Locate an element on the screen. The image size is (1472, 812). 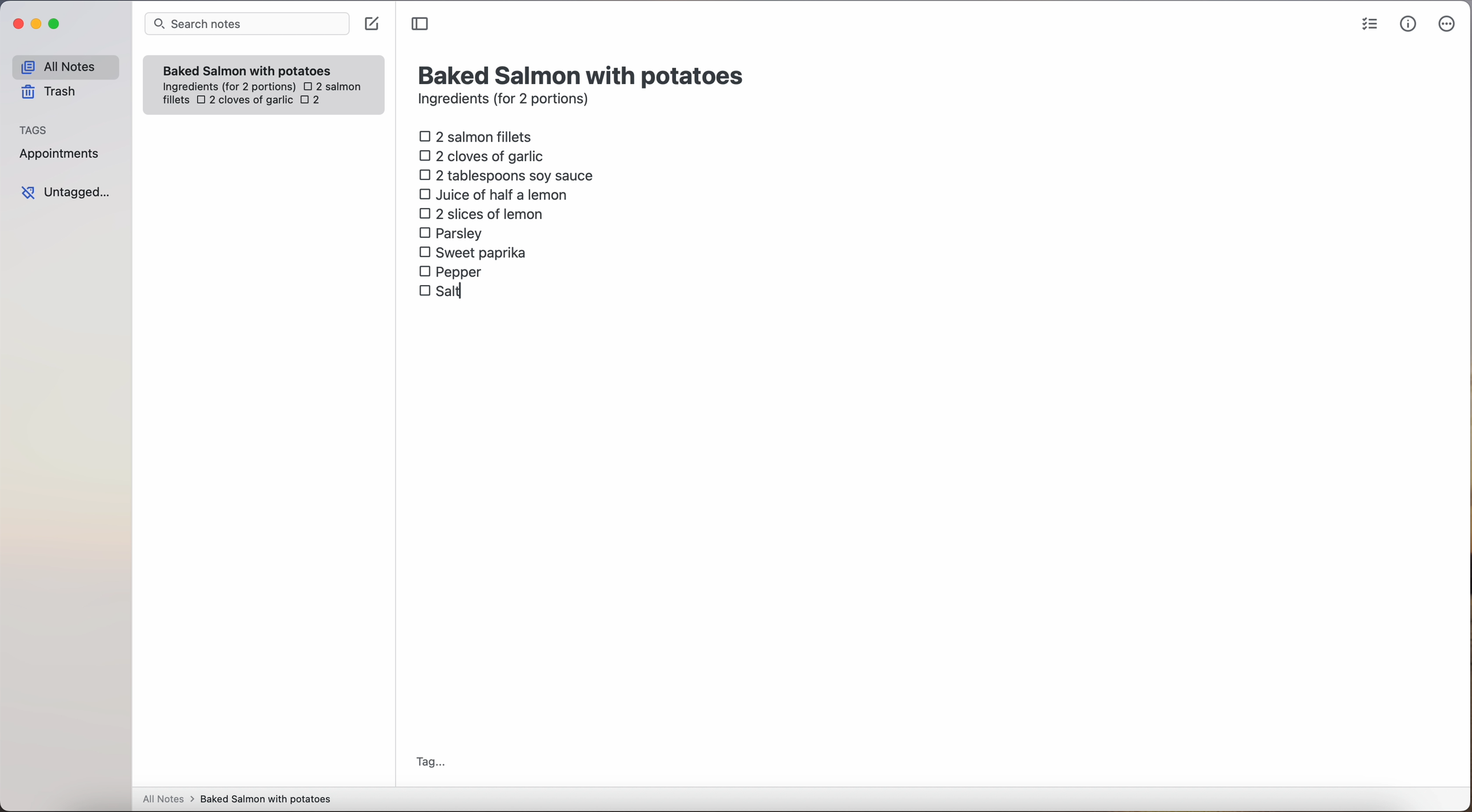
check list is located at coordinates (1370, 25).